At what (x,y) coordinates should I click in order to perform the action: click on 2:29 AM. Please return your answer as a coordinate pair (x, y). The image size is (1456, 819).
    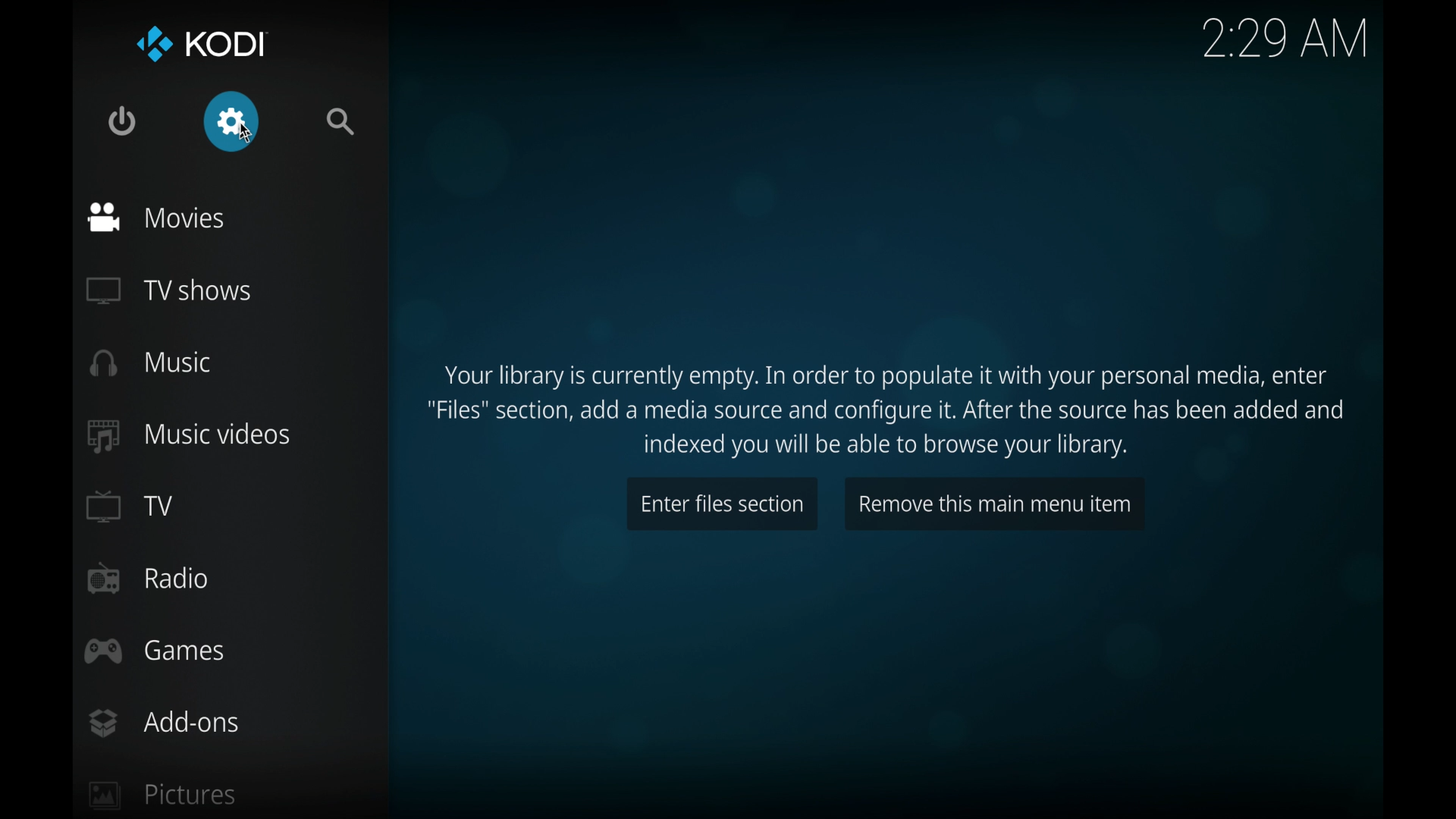
    Looking at the image, I should click on (1285, 47).